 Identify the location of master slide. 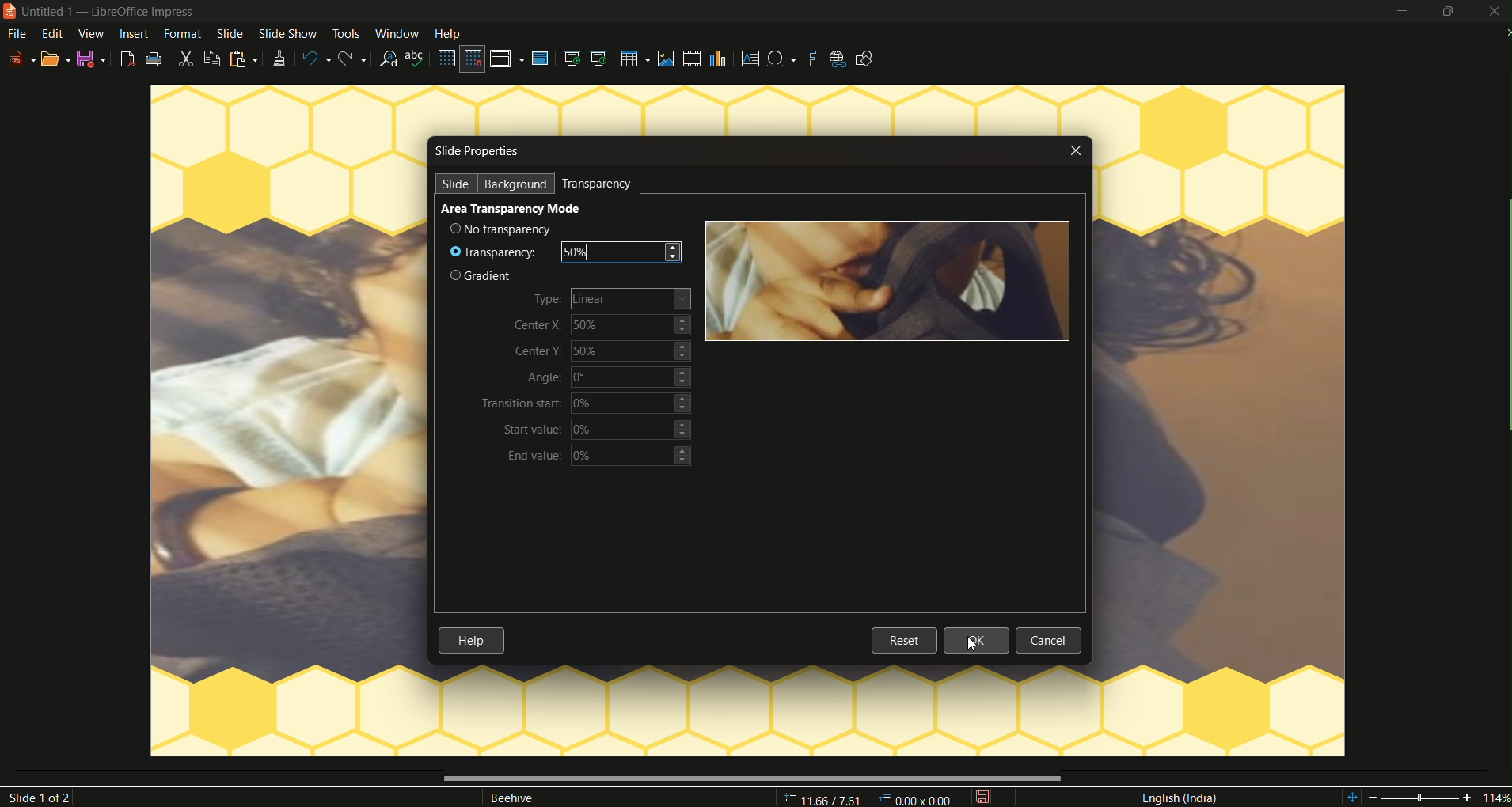
(543, 59).